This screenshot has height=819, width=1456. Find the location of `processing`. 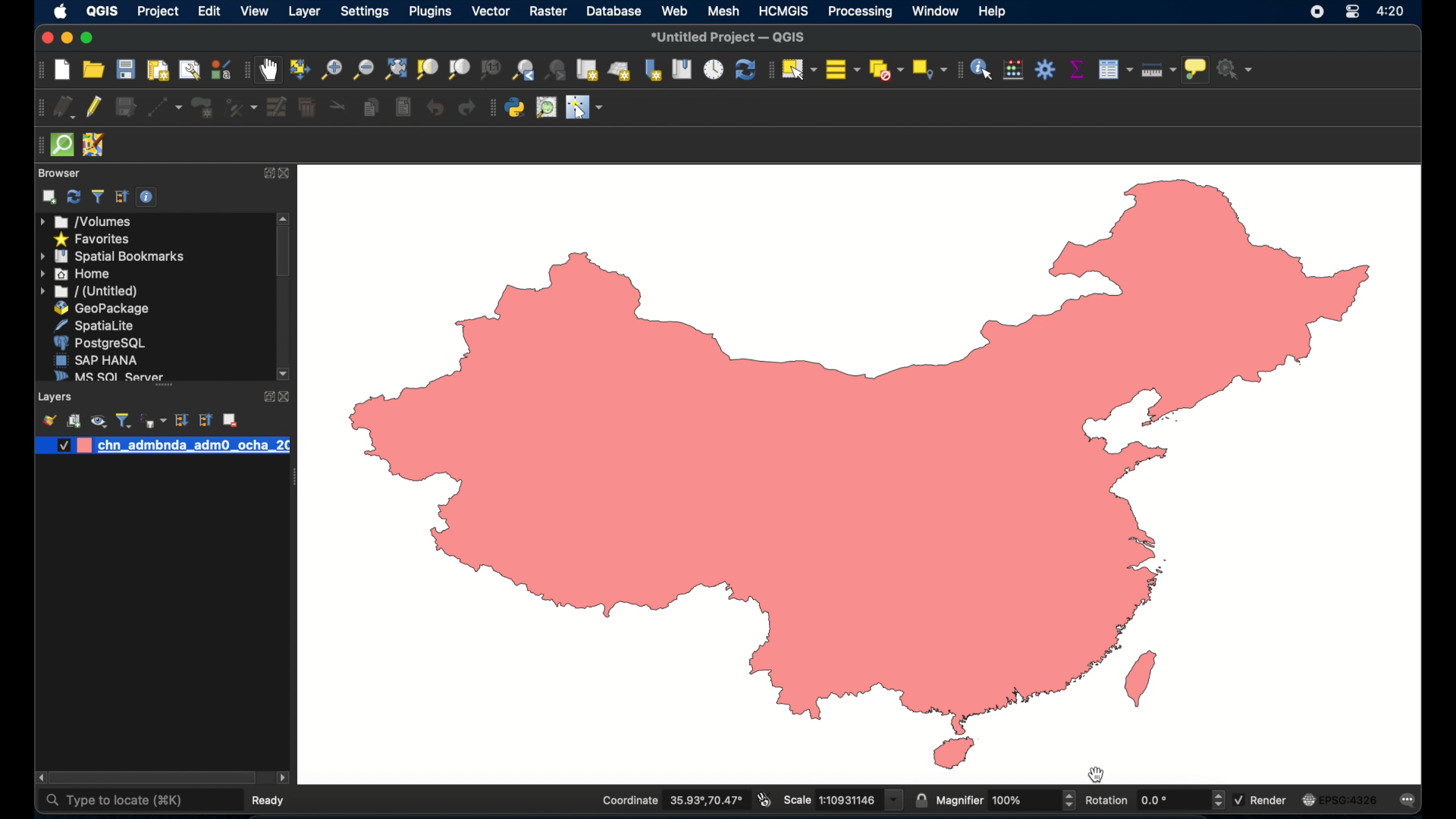

processing is located at coordinates (860, 11).